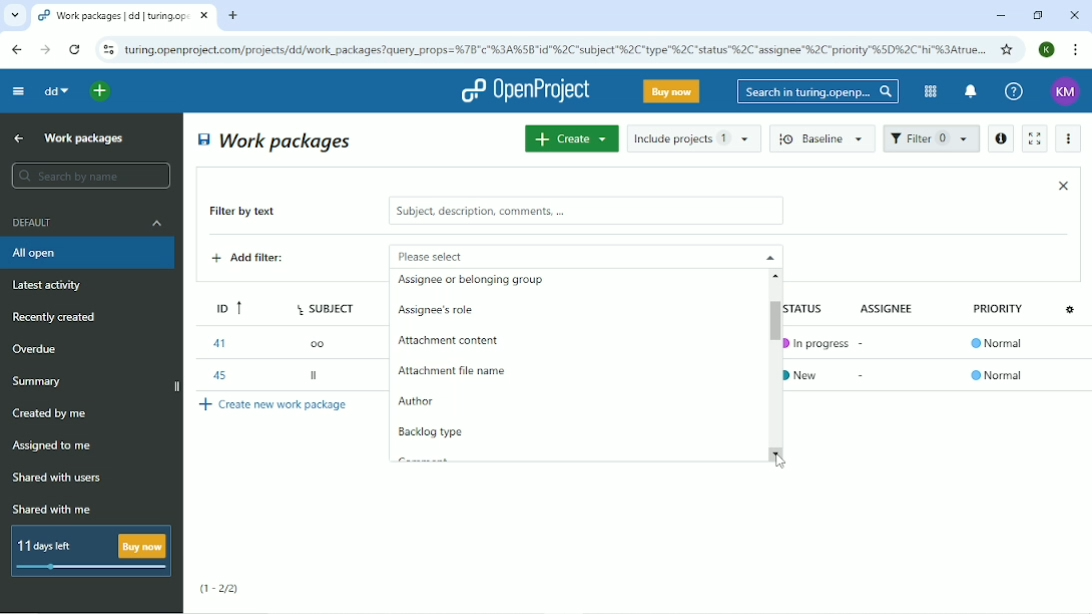 The width and height of the screenshot is (1092, 614). I want to click on Configure view, so click(1072, 308).